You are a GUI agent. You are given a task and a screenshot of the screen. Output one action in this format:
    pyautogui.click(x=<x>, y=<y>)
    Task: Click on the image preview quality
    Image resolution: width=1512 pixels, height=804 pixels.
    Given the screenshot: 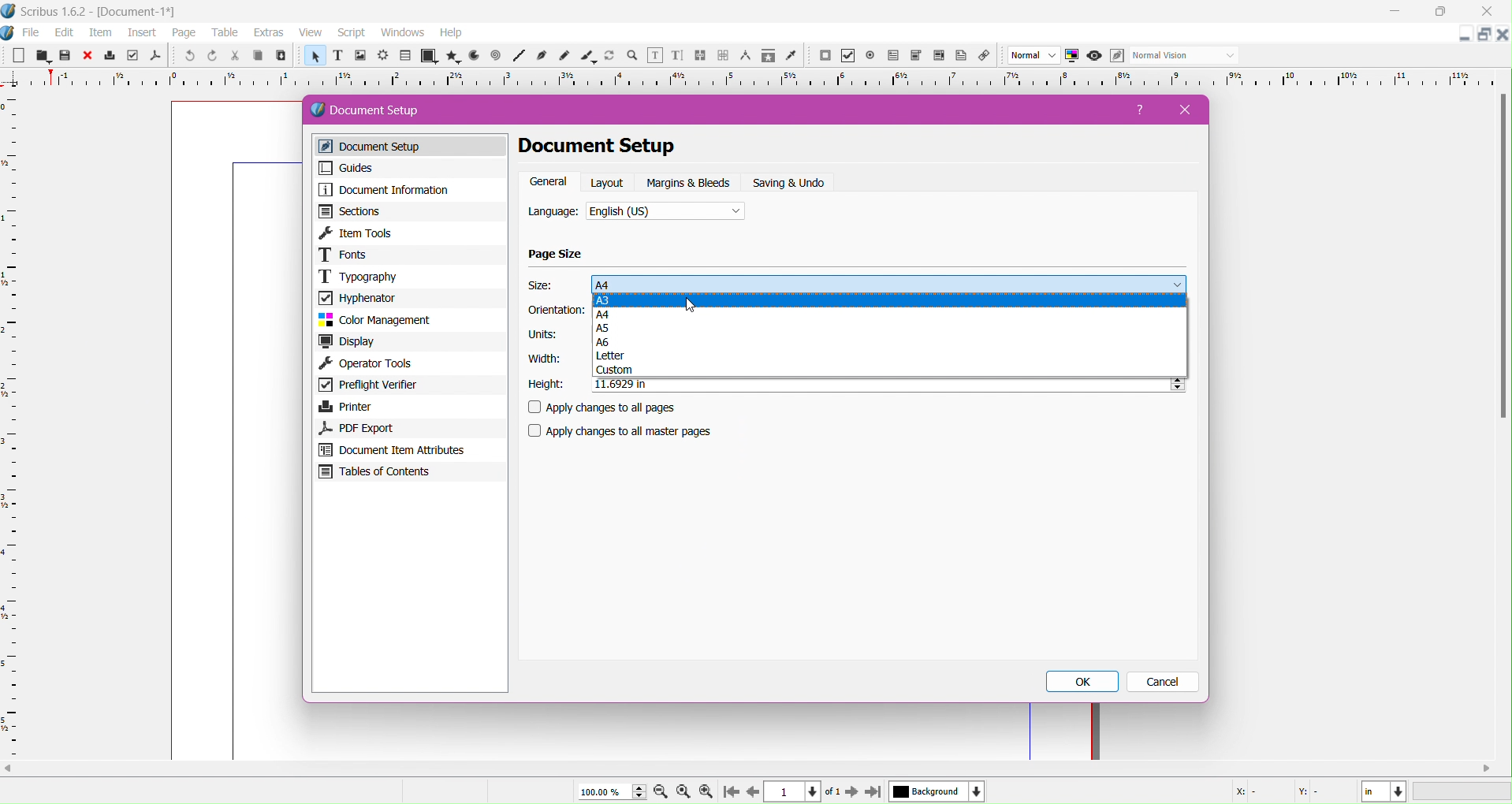 What is the action you would take?
    pyautogui.click(x=1034, y=56)
    